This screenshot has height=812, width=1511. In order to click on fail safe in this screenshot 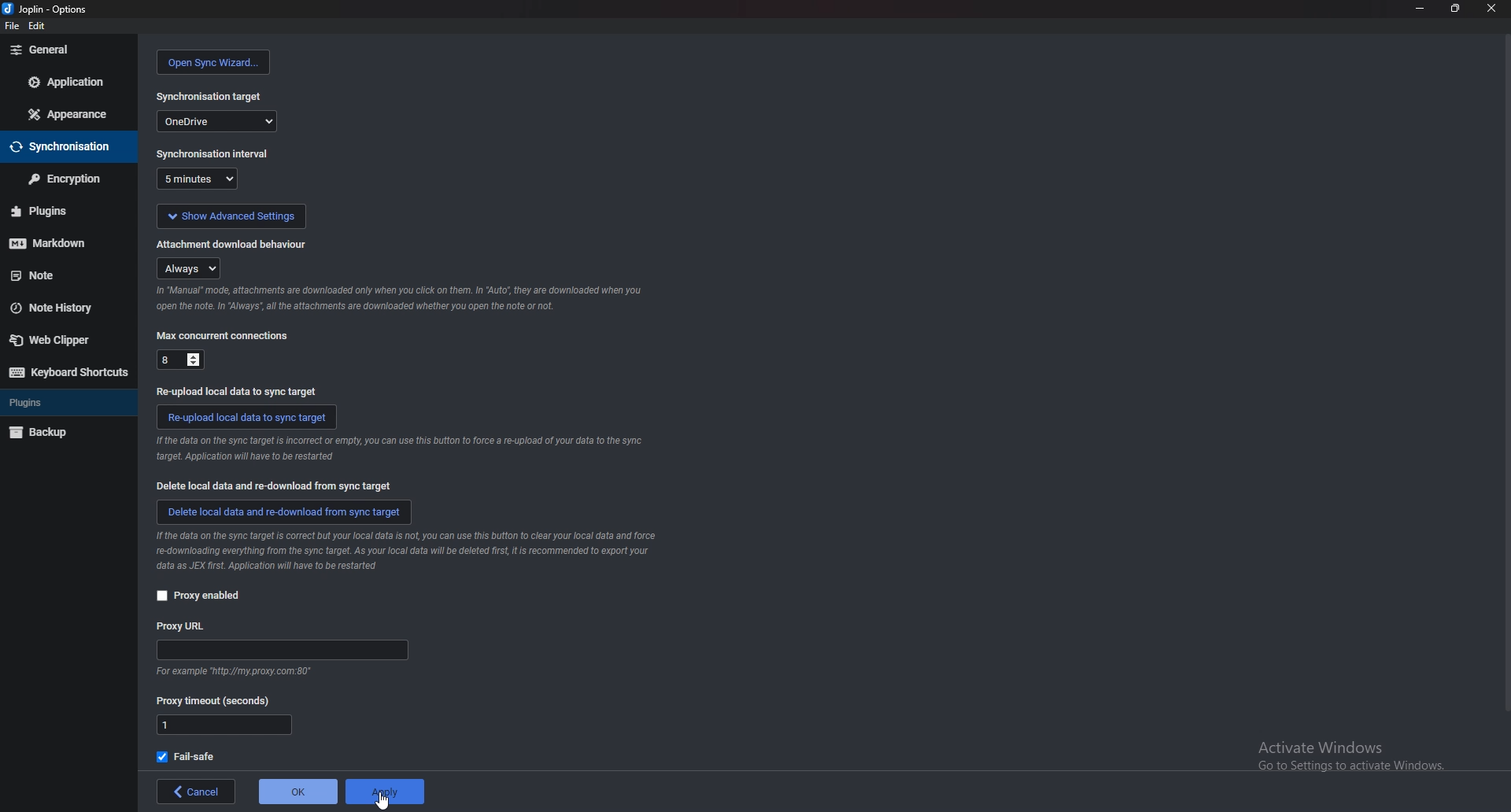, I will do `click(191, 756)`.